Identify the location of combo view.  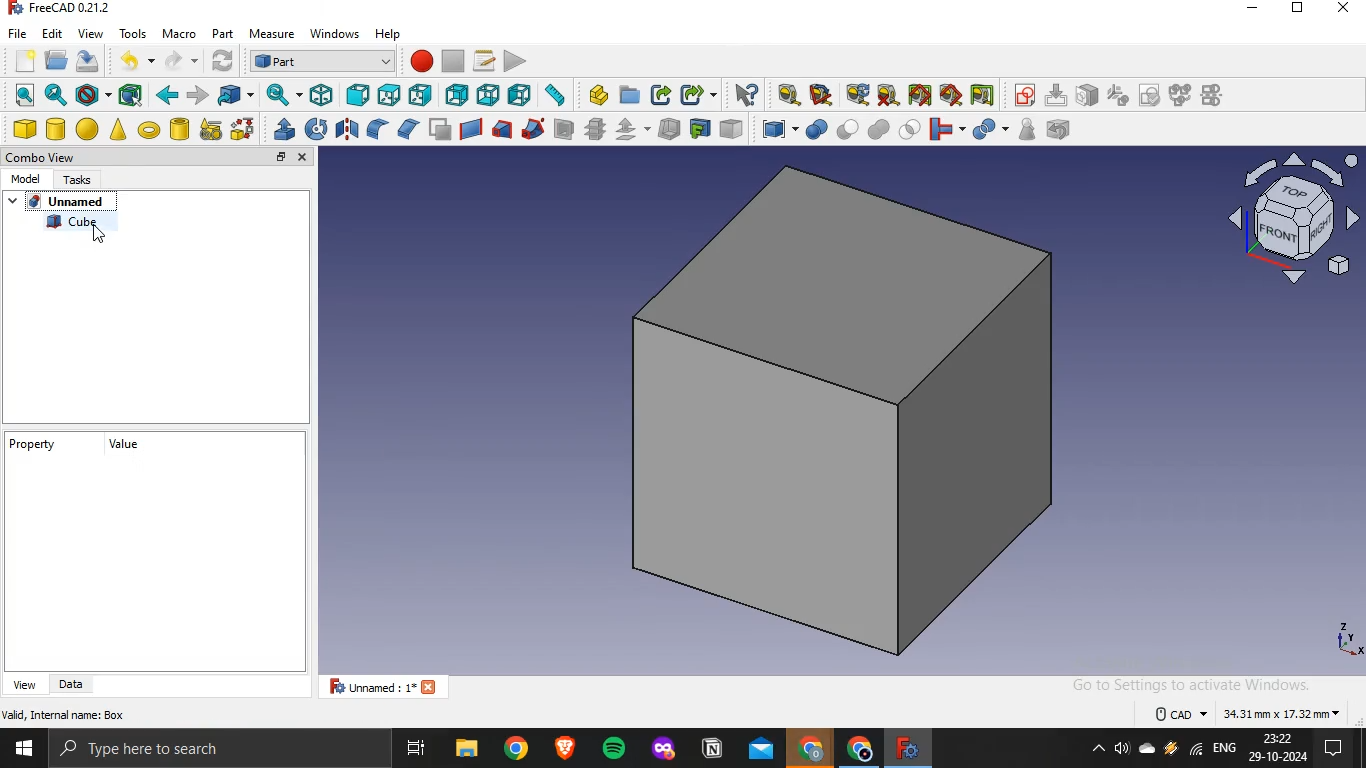
(45, 157).